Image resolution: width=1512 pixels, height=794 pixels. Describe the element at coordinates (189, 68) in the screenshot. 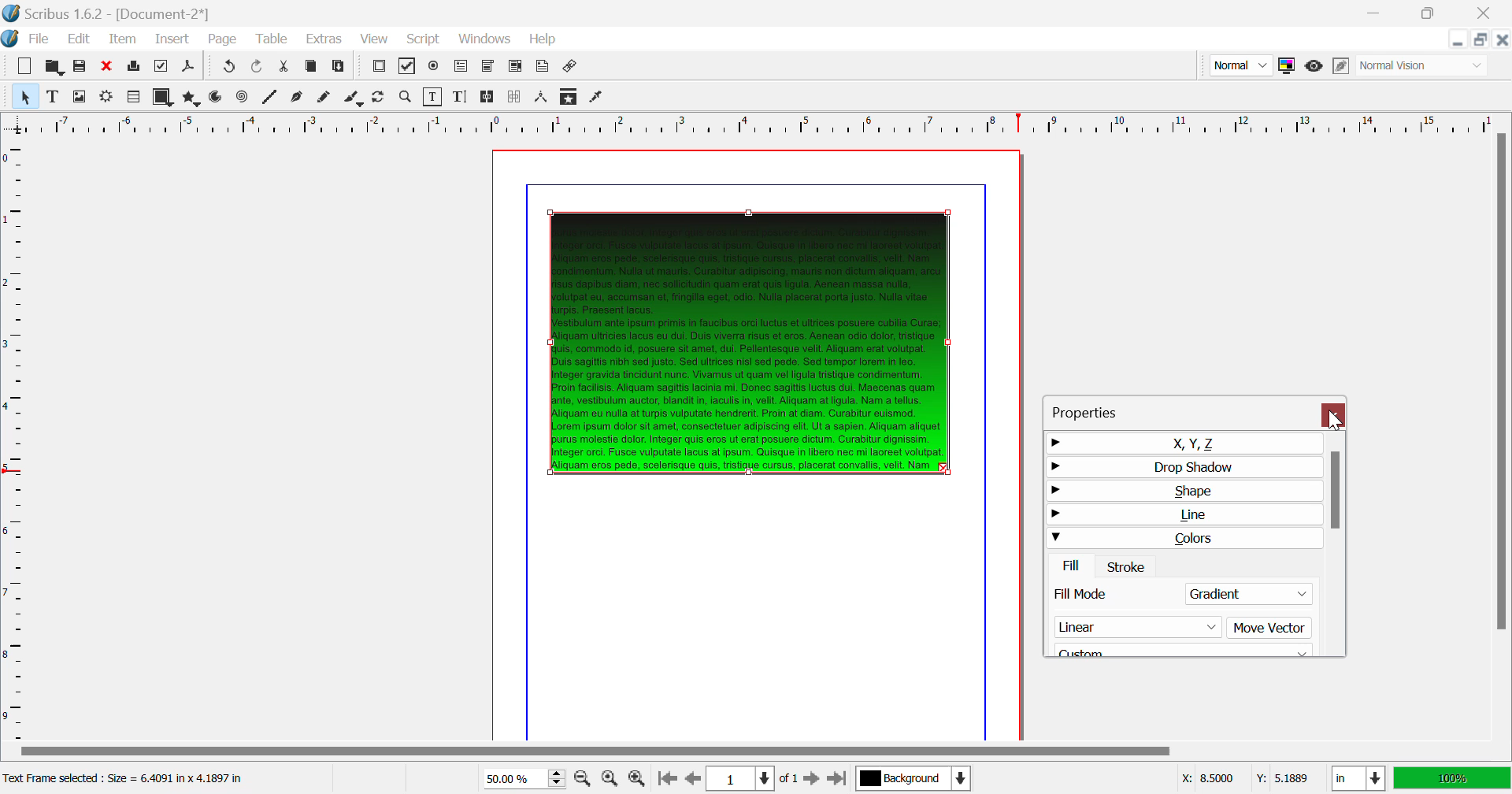

I see `Save as PDF` at that location.